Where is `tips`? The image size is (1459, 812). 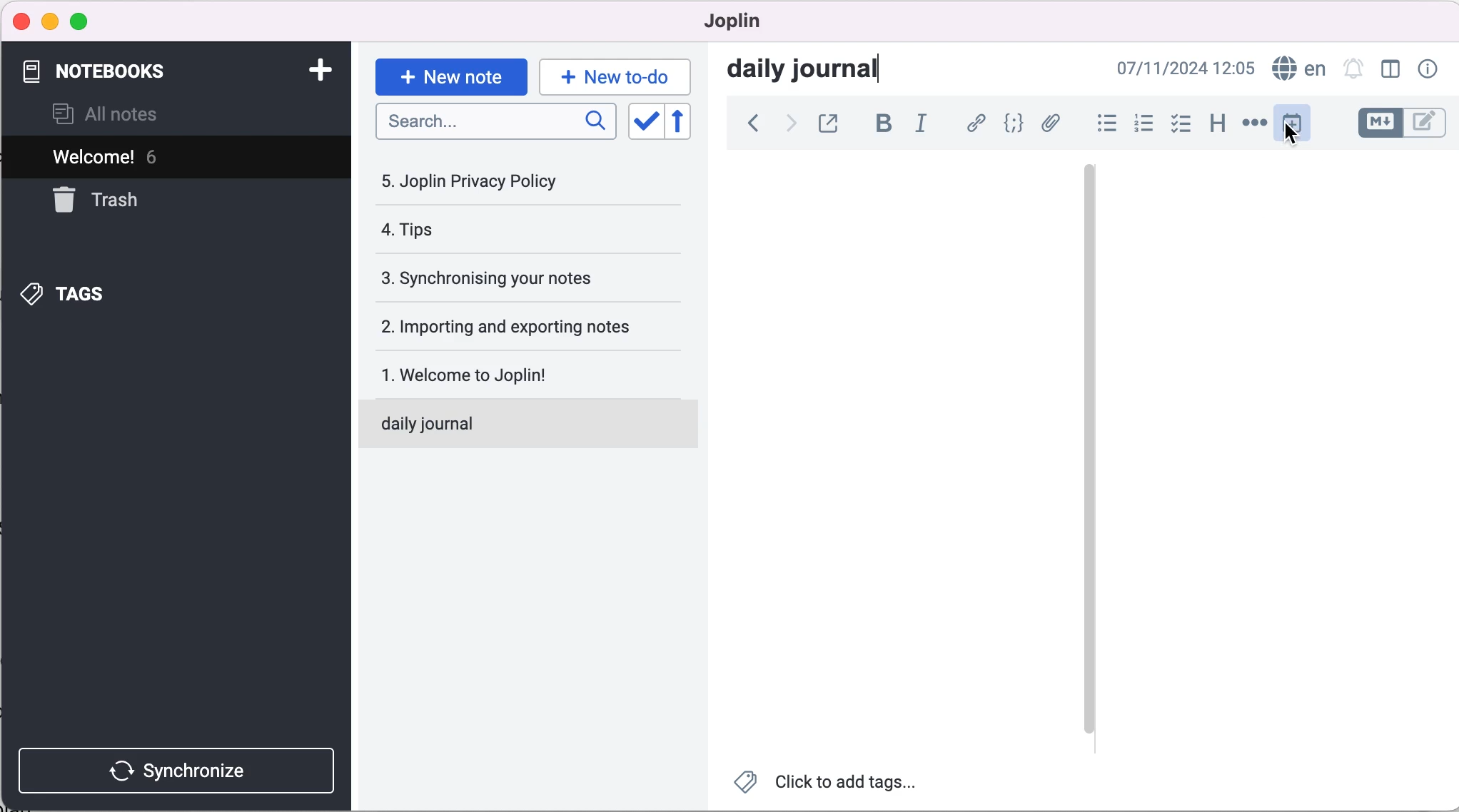
tips is located at coordinates (468, 230).